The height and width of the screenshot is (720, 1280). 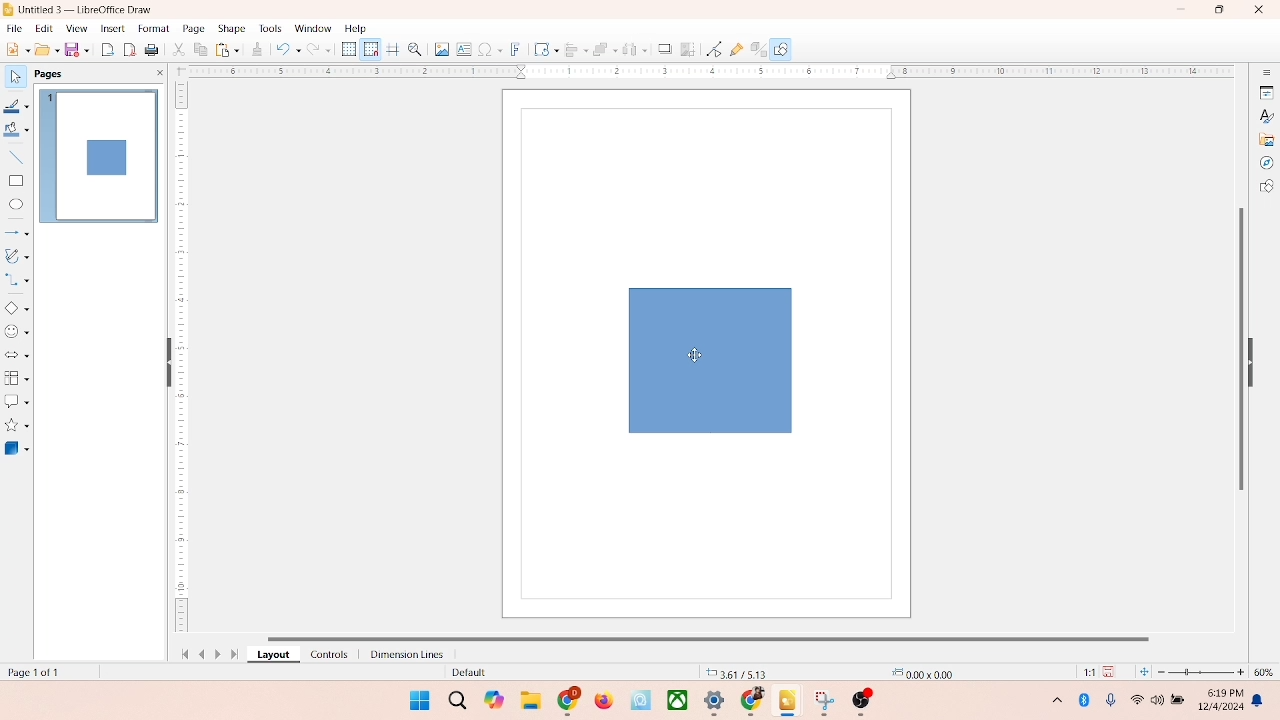 What do you see at coordinates (599, 47) in the screenshot?
I see `arrange` at bounding box center [599, 47].